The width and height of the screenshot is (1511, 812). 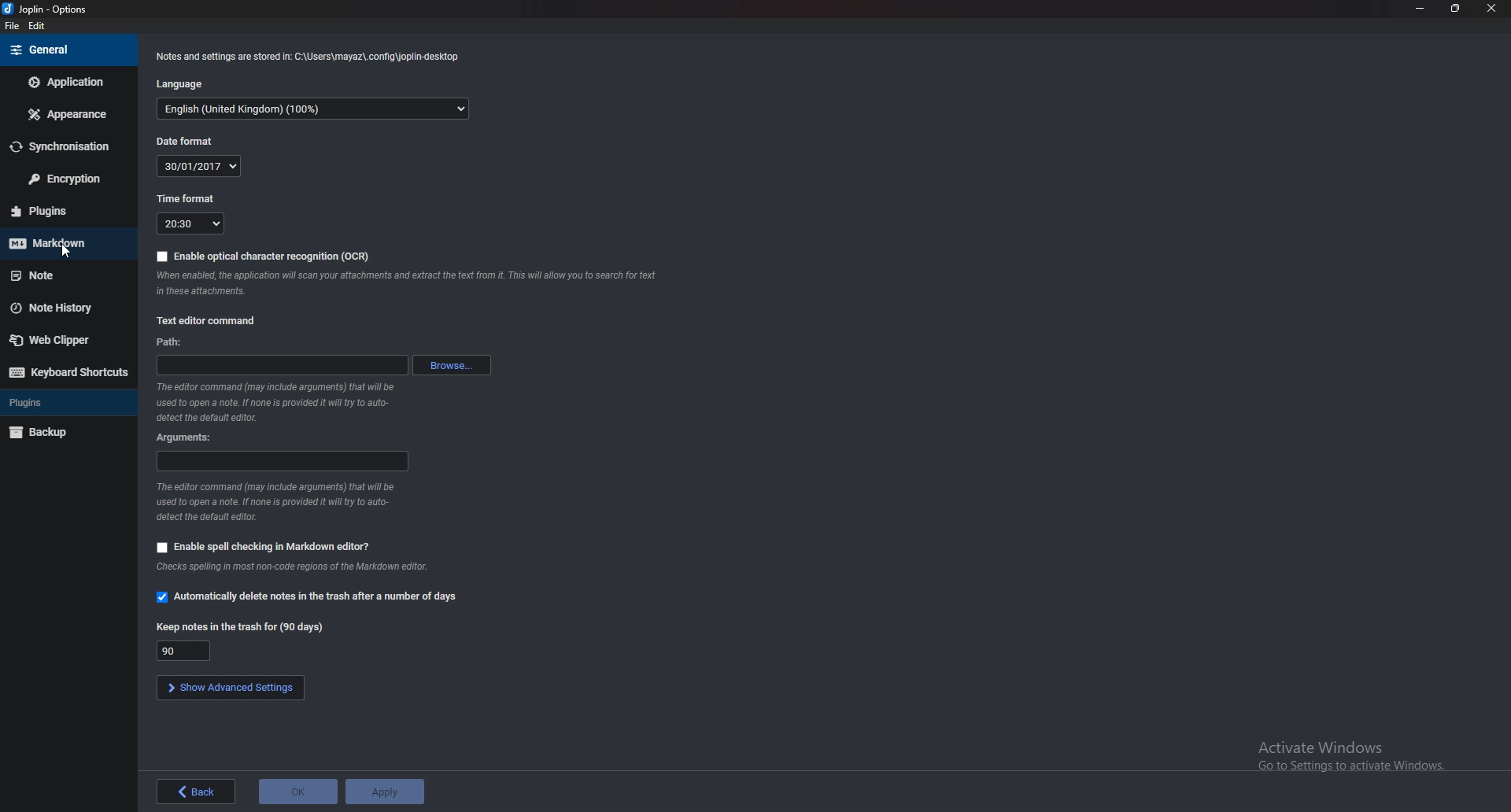 I want to click on Activate Windows
Go to Settings to activate Windows., so click(x=1348, y=748).